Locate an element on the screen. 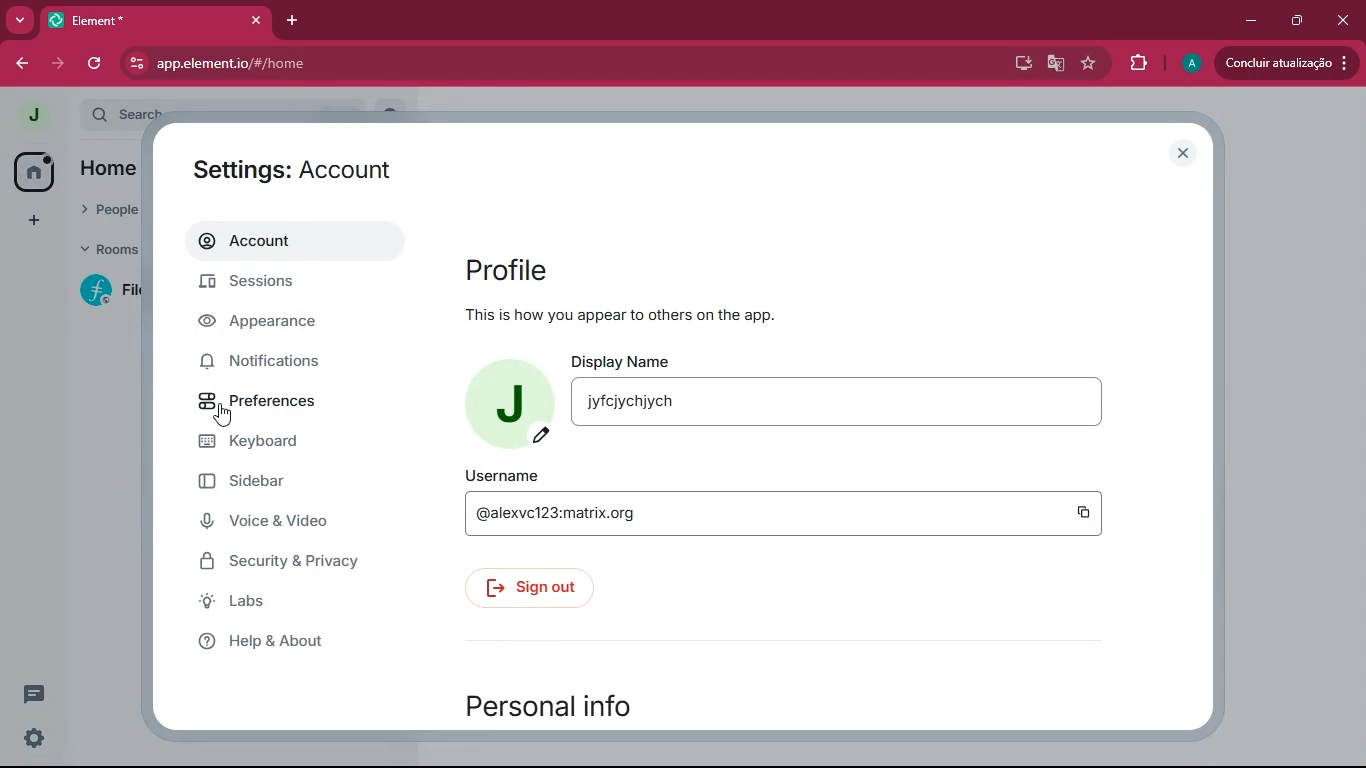 The height and width of the screenshot is (768, 1366). help & about is located at coordinates (288, 643).